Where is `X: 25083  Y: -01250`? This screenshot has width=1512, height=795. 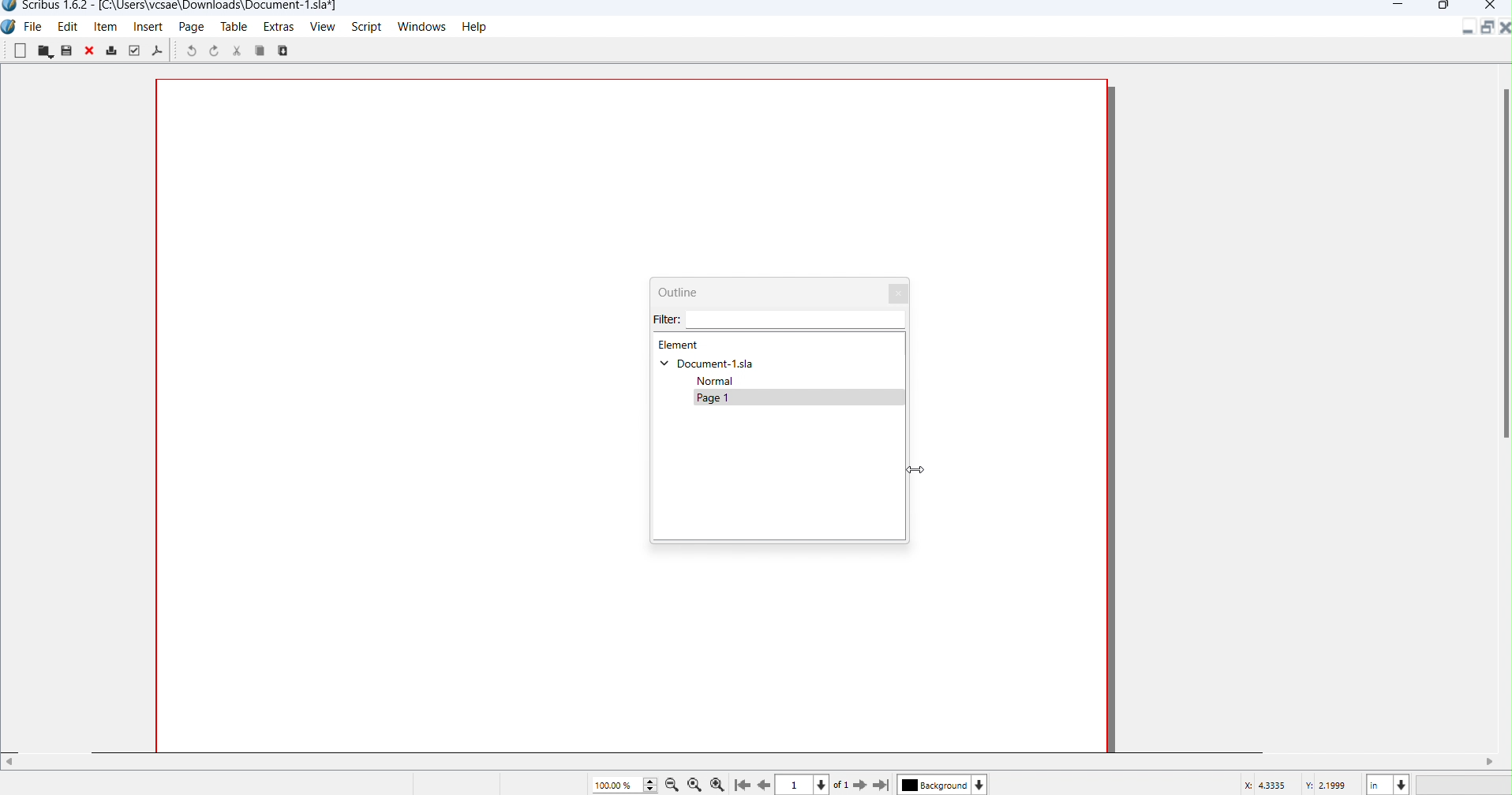
X: 25083  Y: -01250 is located at coordinates (1297, 784).